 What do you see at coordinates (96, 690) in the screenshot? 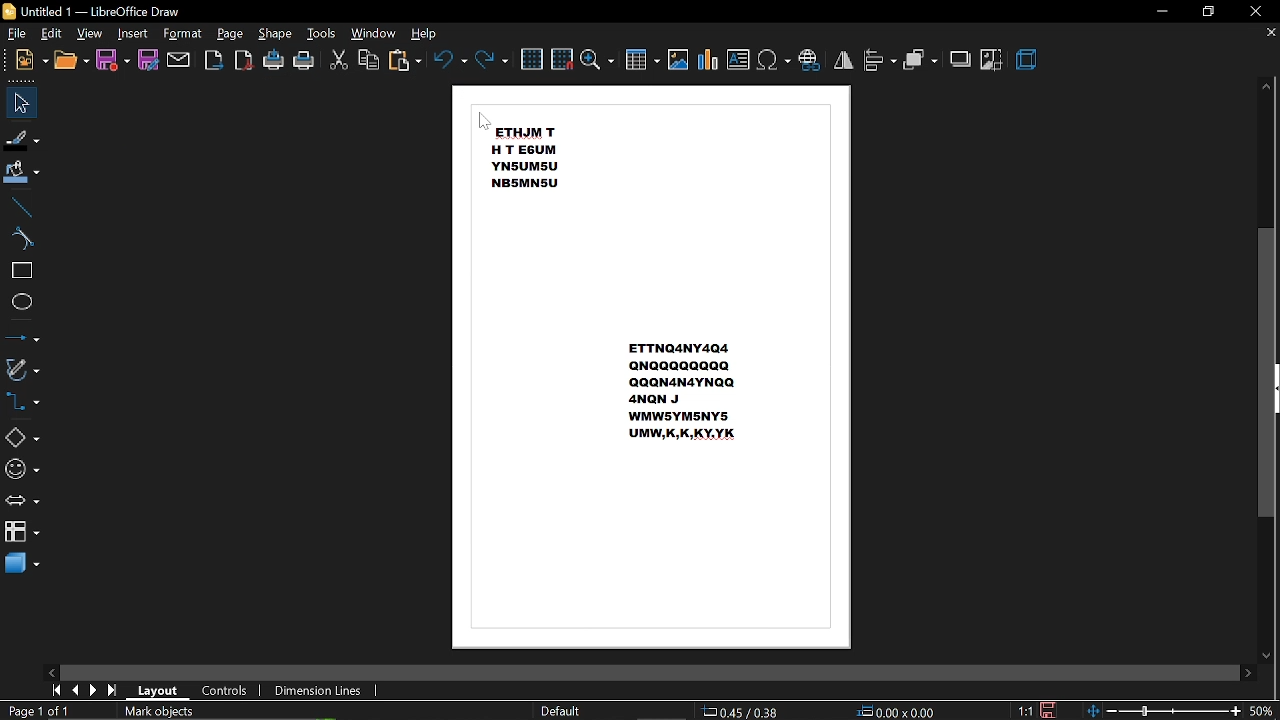
I see `next page` at bounding box center [96, 690].